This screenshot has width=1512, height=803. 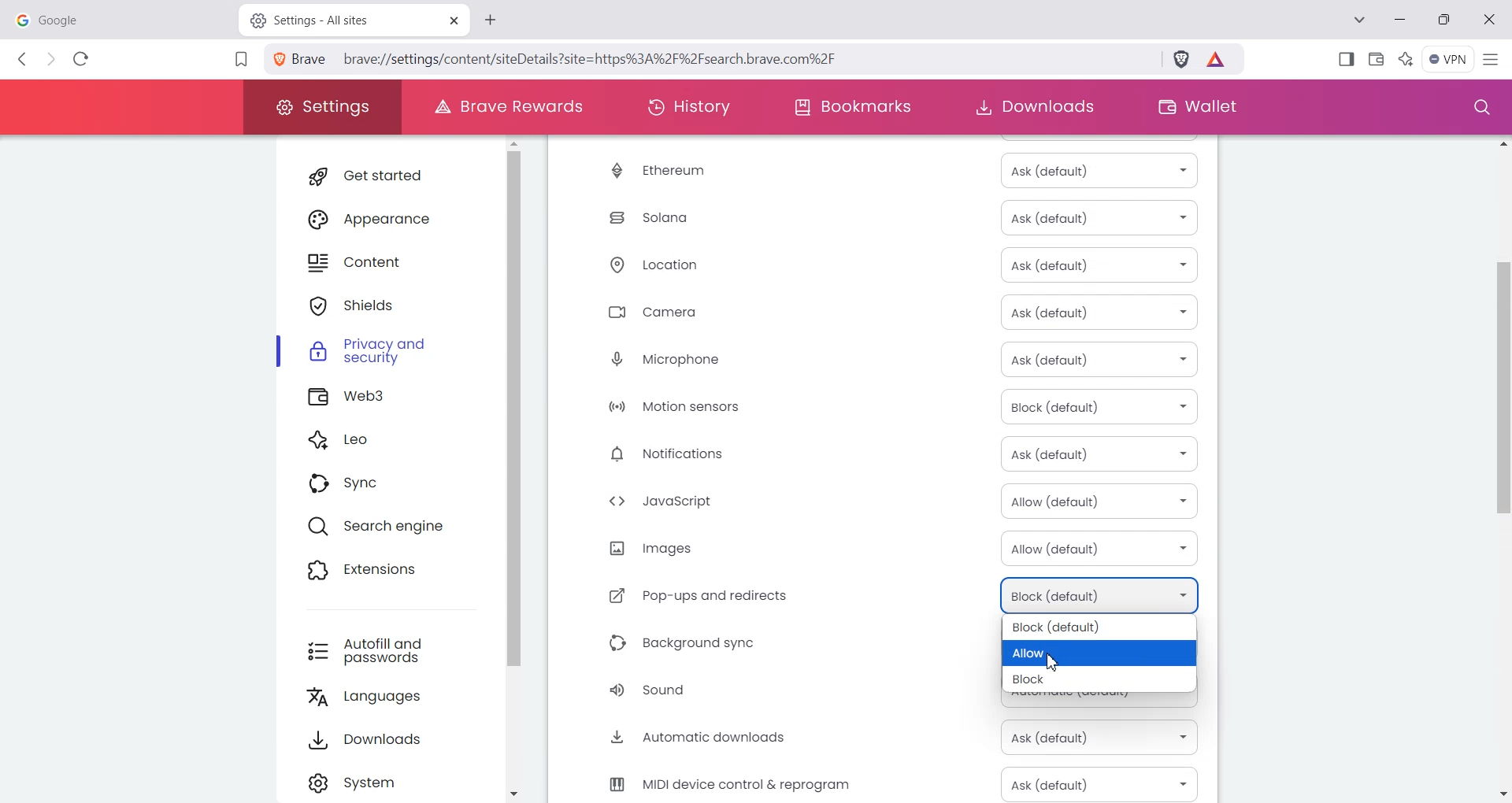 I want to click on Motion sensor Block (Default), so click(x=887, y=406).